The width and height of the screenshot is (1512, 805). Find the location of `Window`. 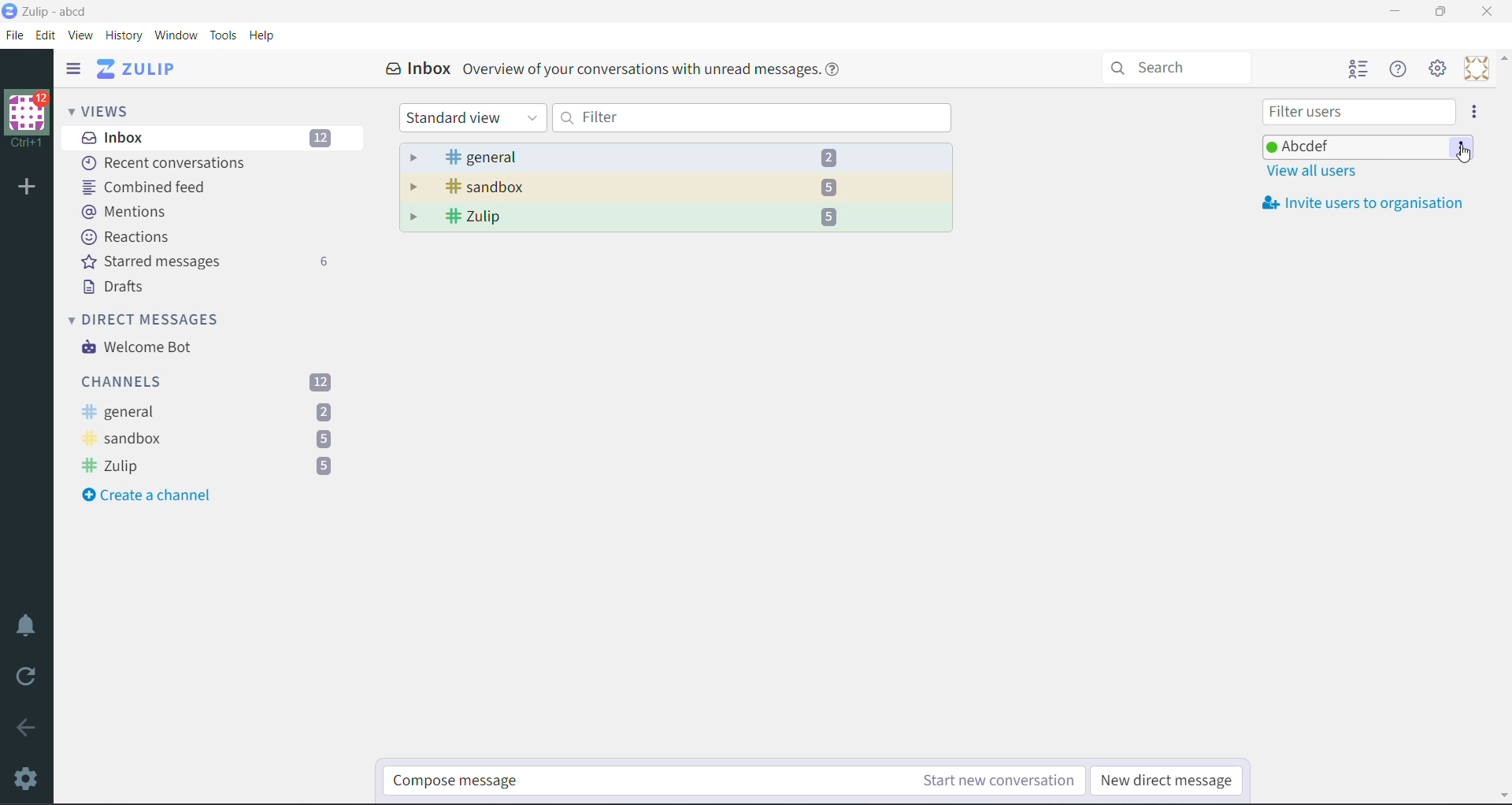

Window is located at coordinates (179, 36).